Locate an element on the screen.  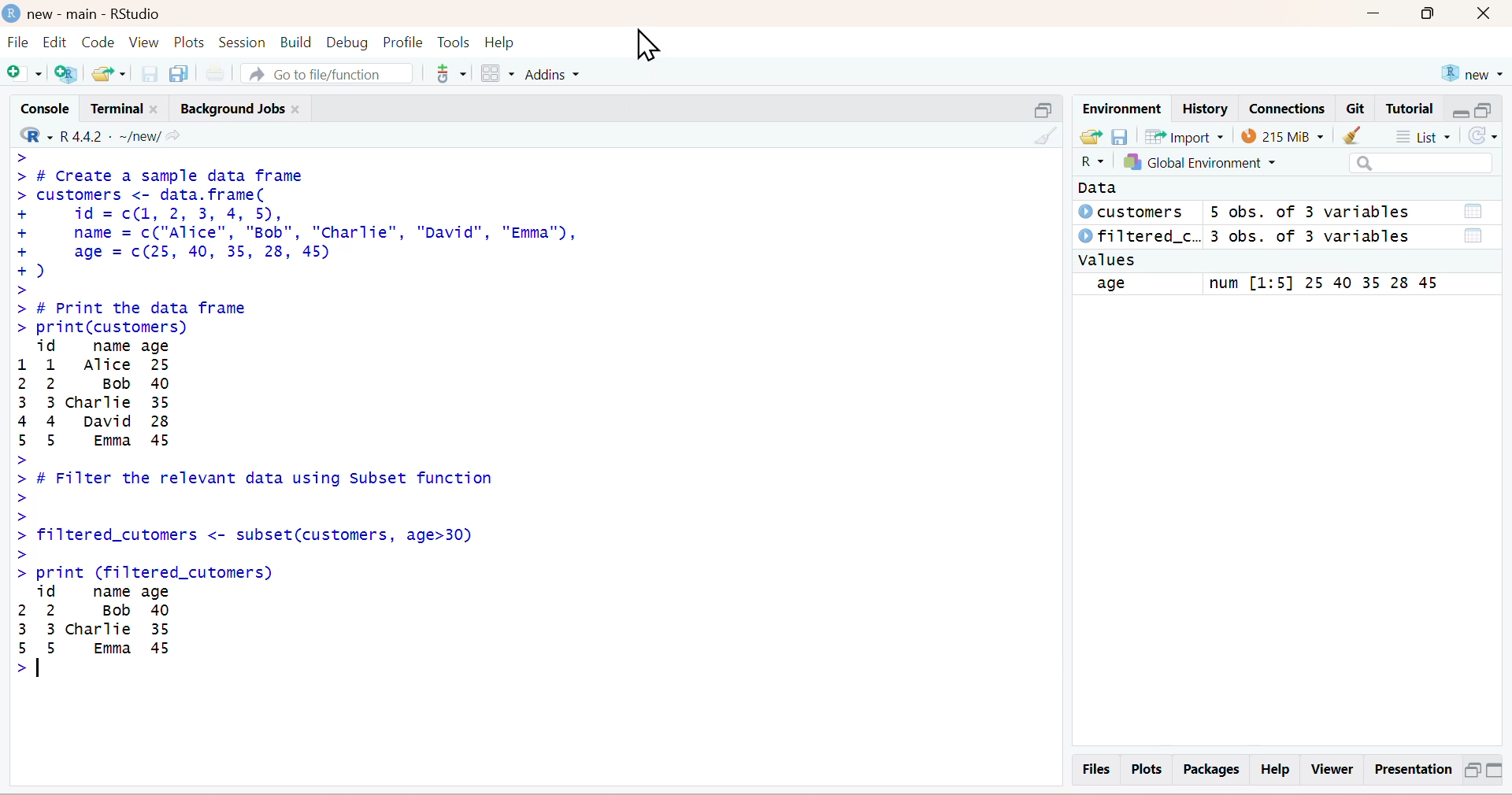
Build is located at coordinates (292, 42).